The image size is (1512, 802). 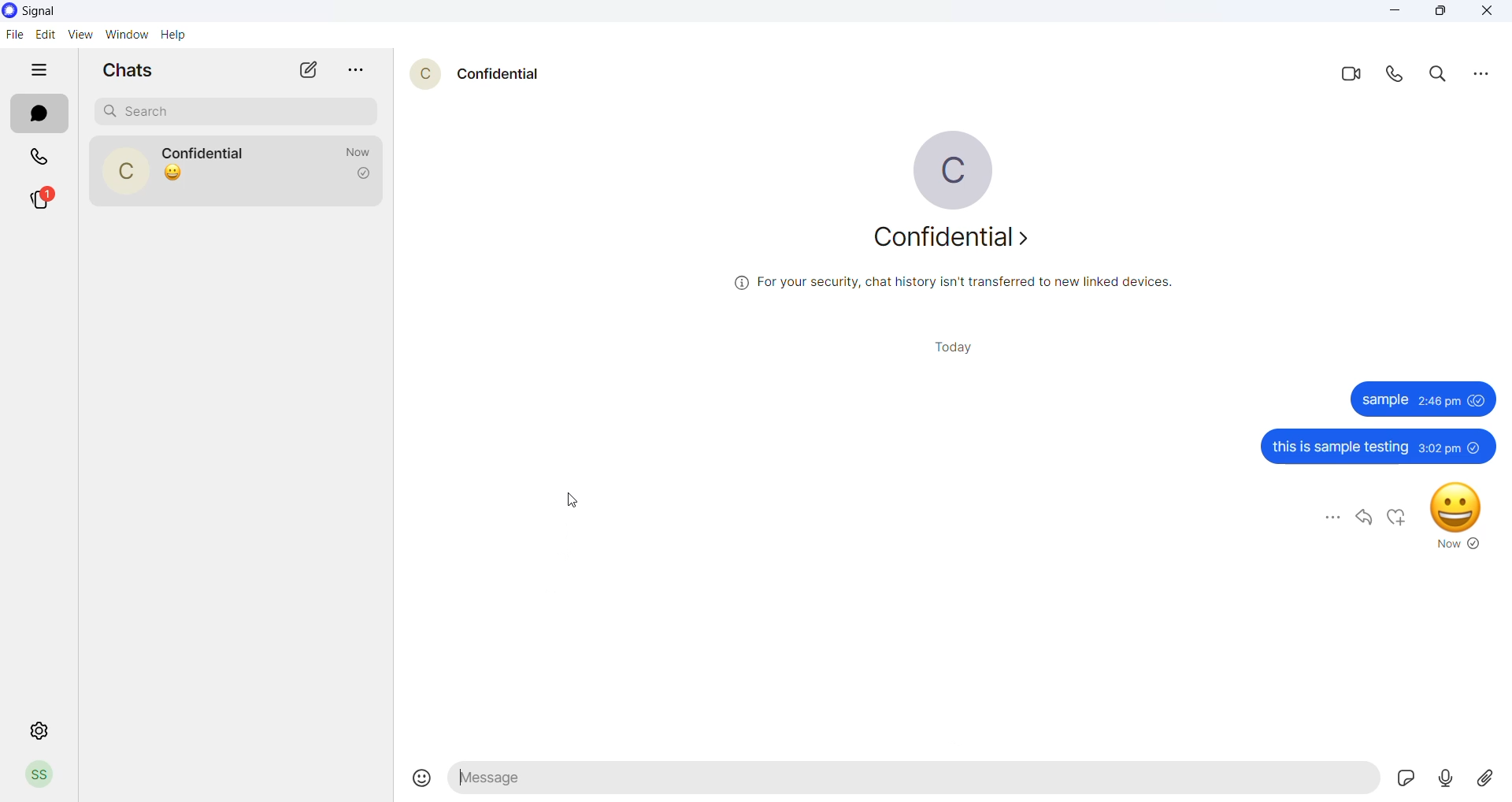 I want to click on last message time, so click(x=350, y=150).